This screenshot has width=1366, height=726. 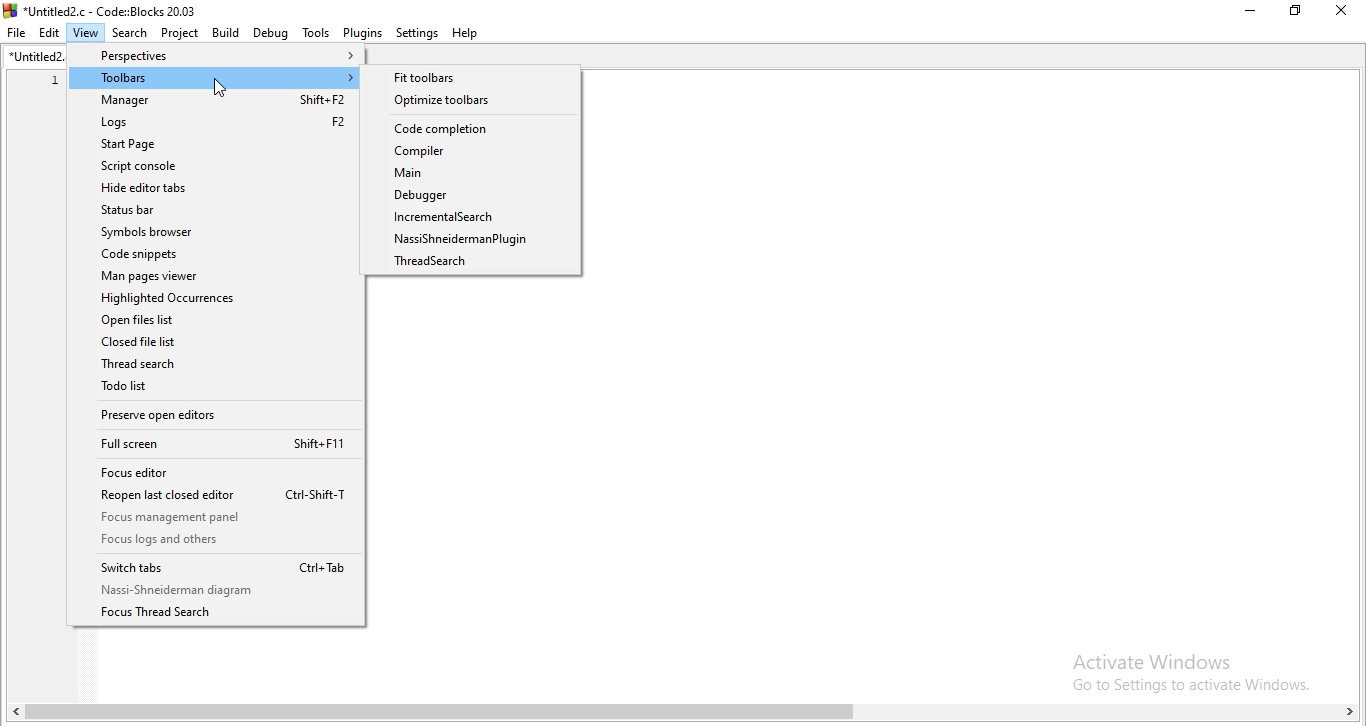 What do you see at coordinates (210, 343) in the screenshot?
I see `Closed file list` at bounding box center [210, 343].